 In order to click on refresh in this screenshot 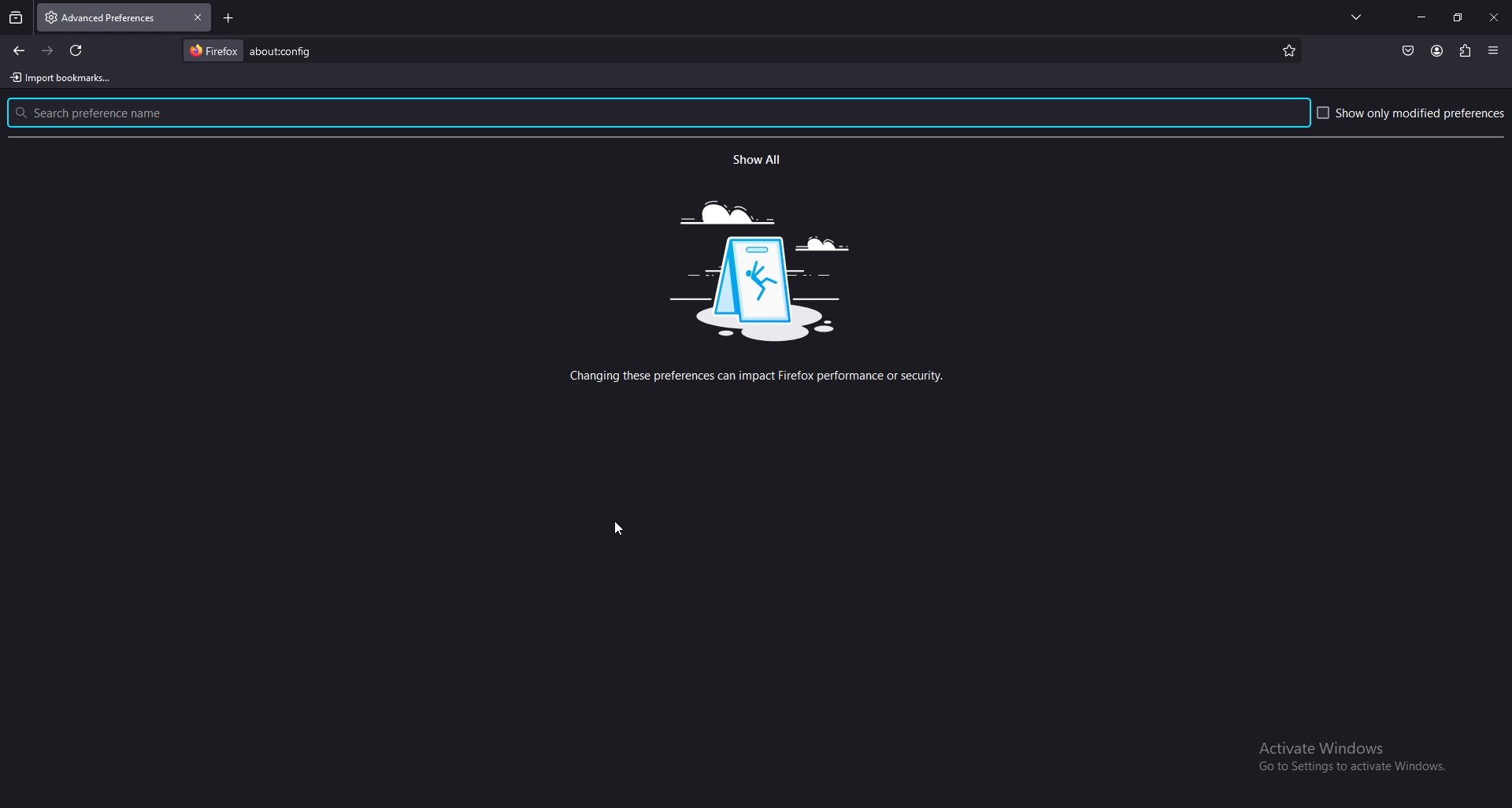, I will do `click(76, 50)`.